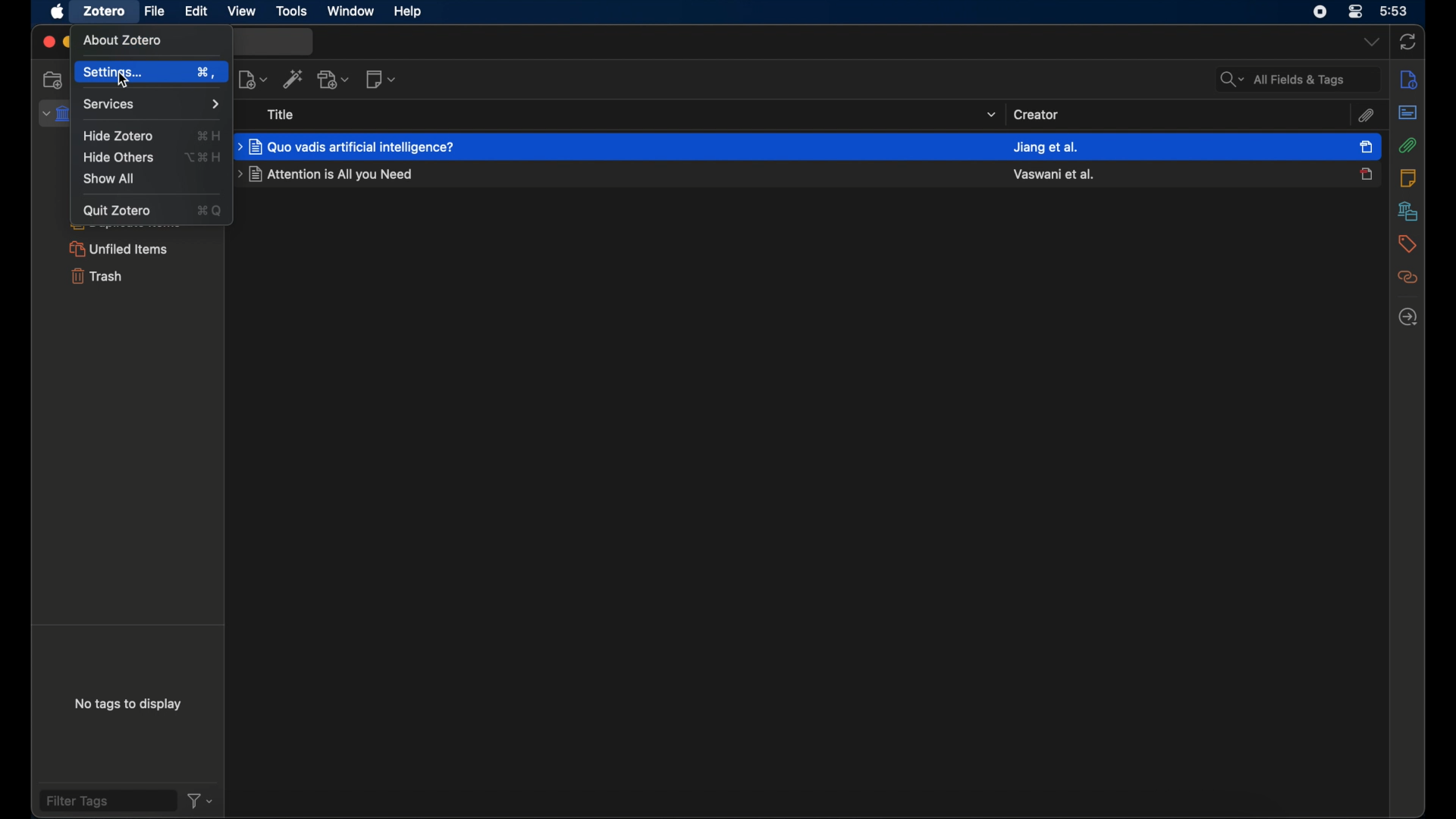  Describe the element at coordinates (124, 40) in the screenshot. I see `about zotero` at that location.